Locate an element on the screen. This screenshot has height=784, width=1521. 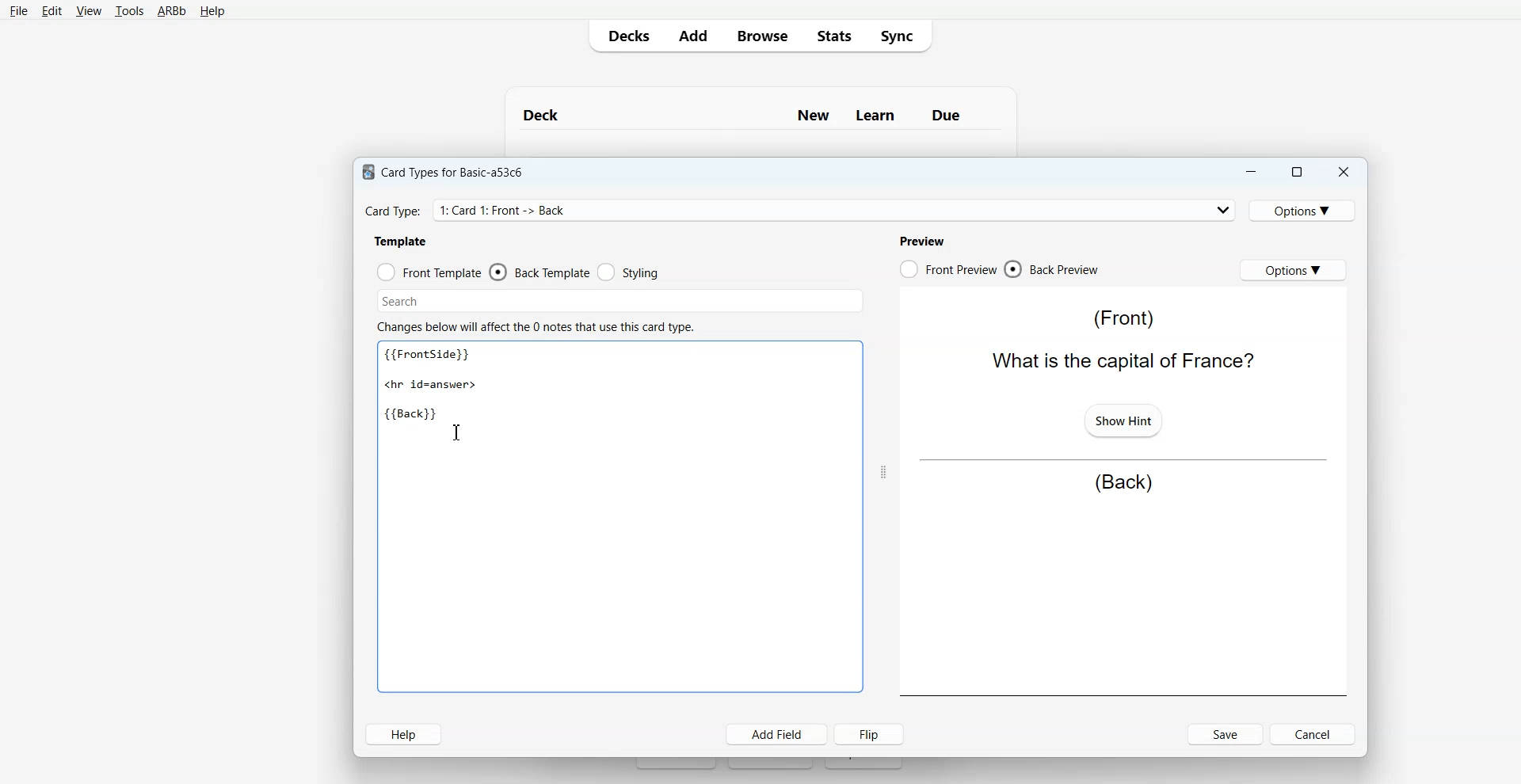
Changes below will affect the 0 notes that use this card type is located at coordinates (542, 327).